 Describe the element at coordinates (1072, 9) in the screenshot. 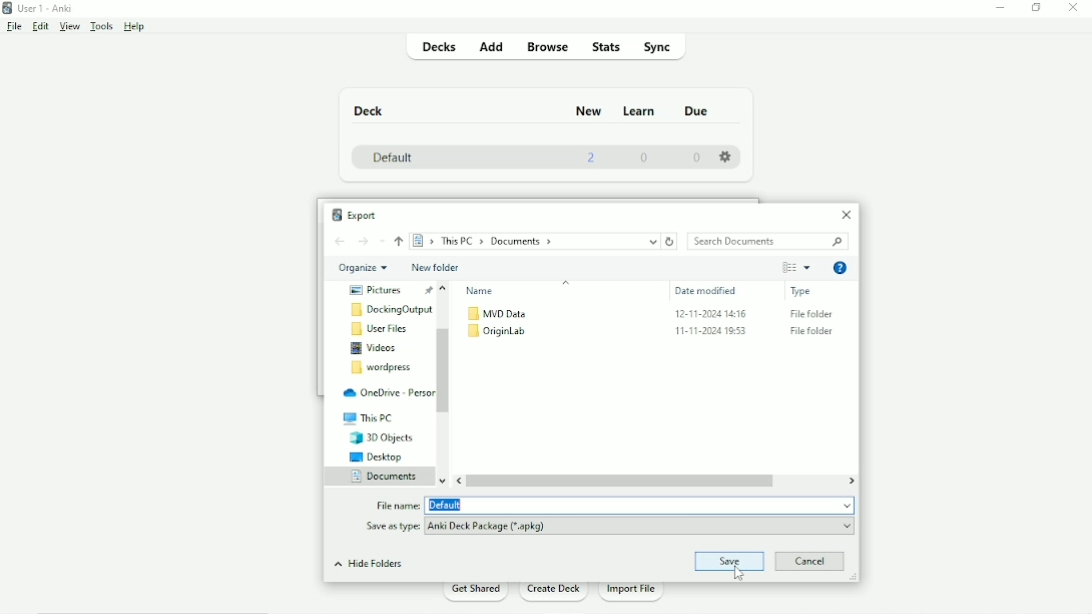

I see `Close` at that location.